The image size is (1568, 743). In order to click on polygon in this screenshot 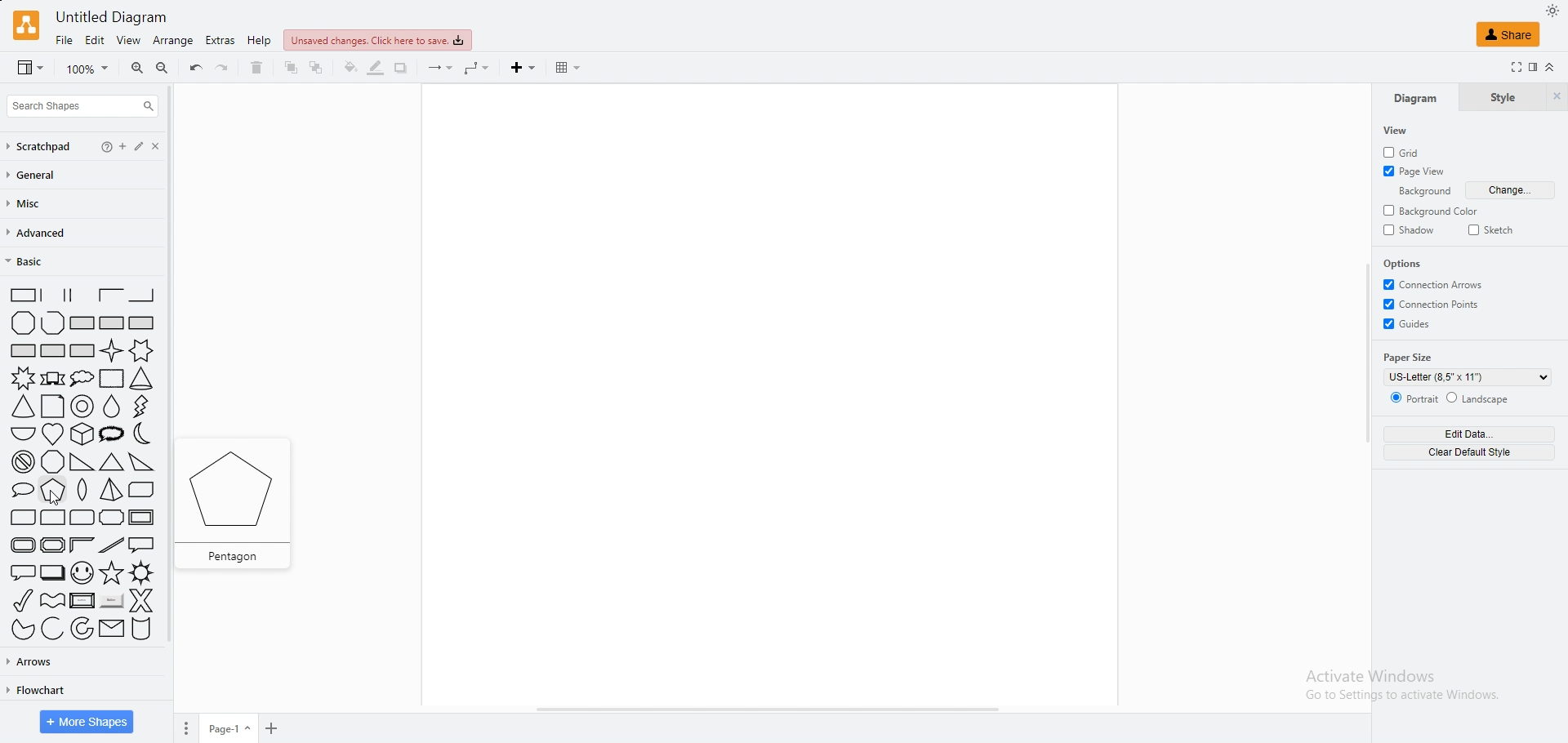, I will do `click(24, 323)`.